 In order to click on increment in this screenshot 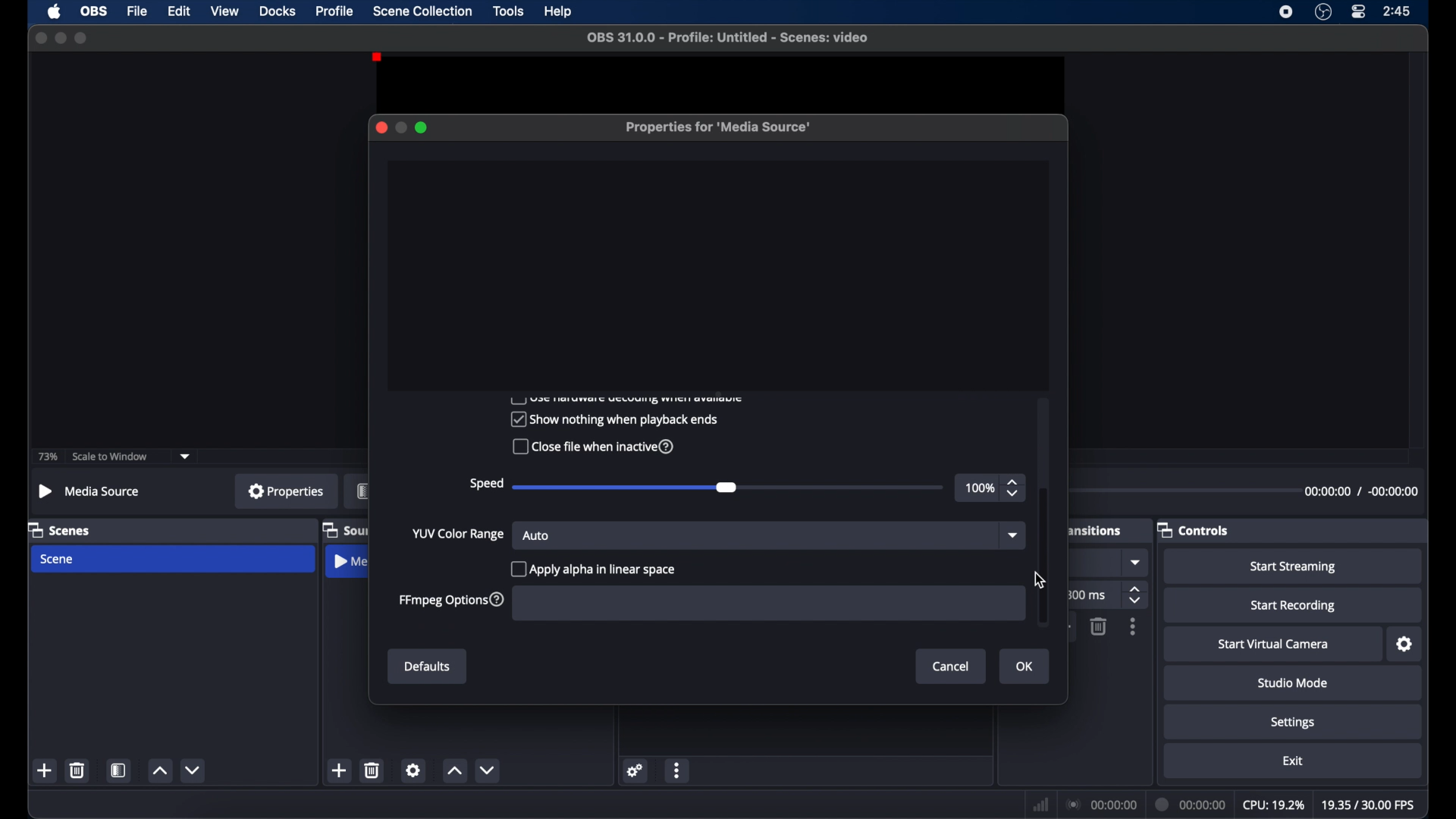, I will do `click(455, 772)`.